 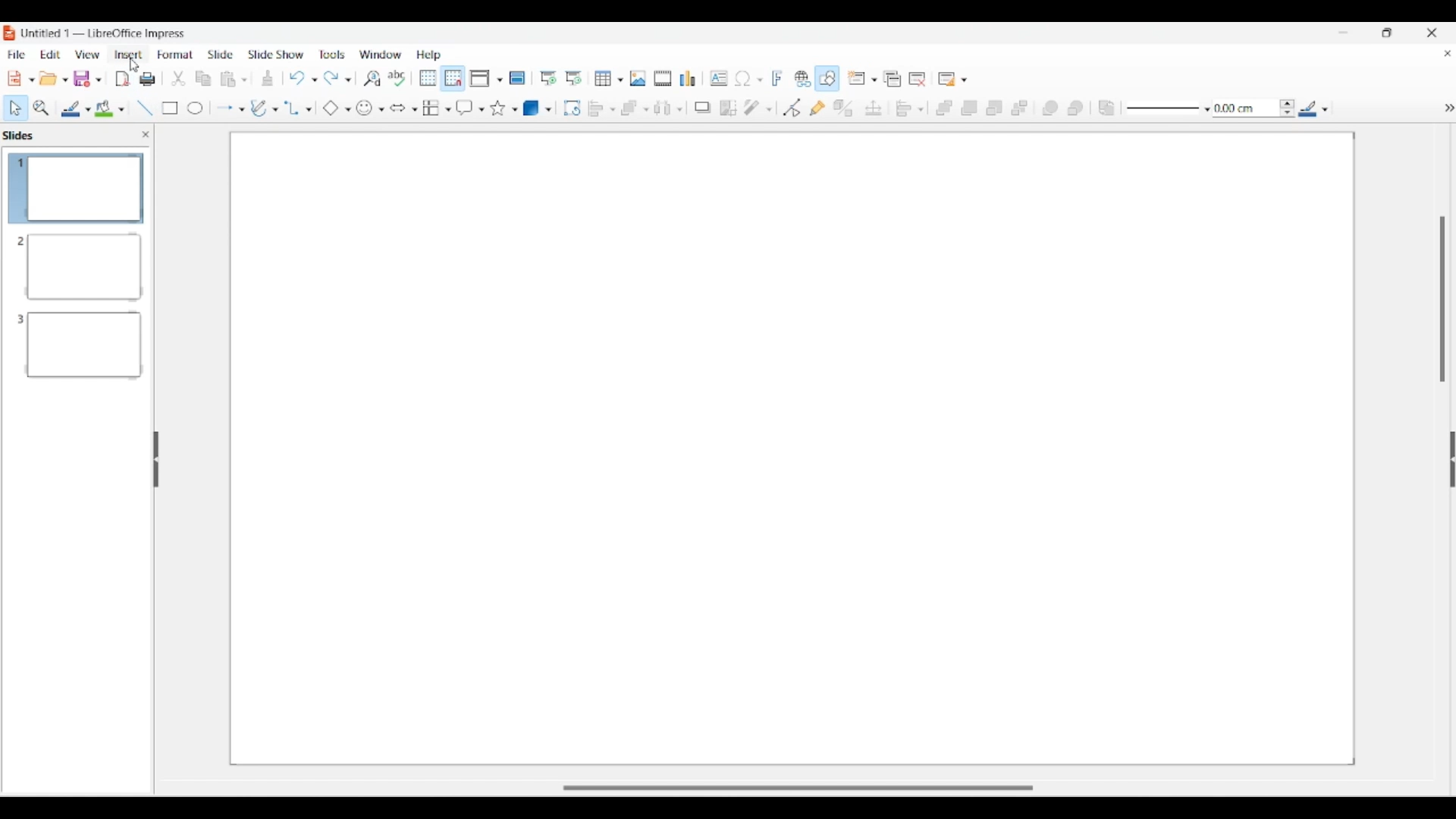 What do you see at coordinates (954, 79) in the screenshot?
I see `Slide layout` at bounding box center [954, 79].